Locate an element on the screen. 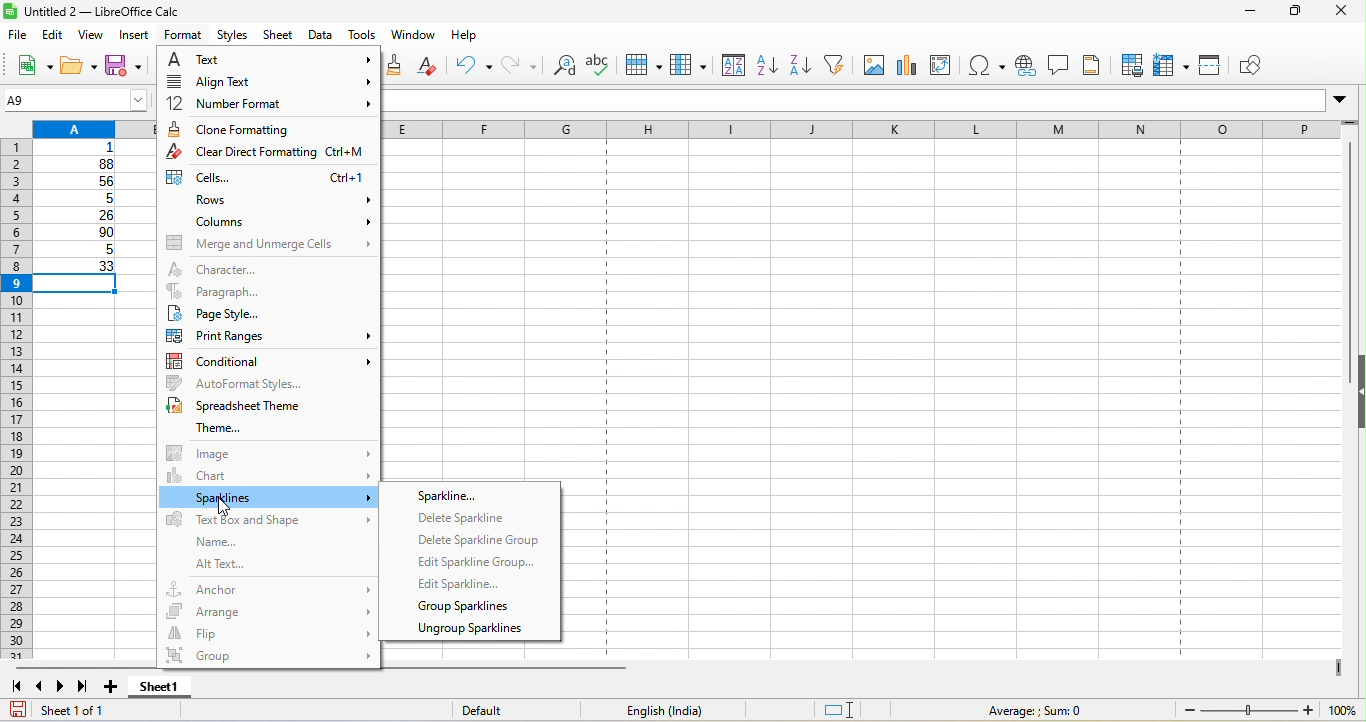 This screenshot has height=722, width=1366. format is located at coordinates (181, 36).